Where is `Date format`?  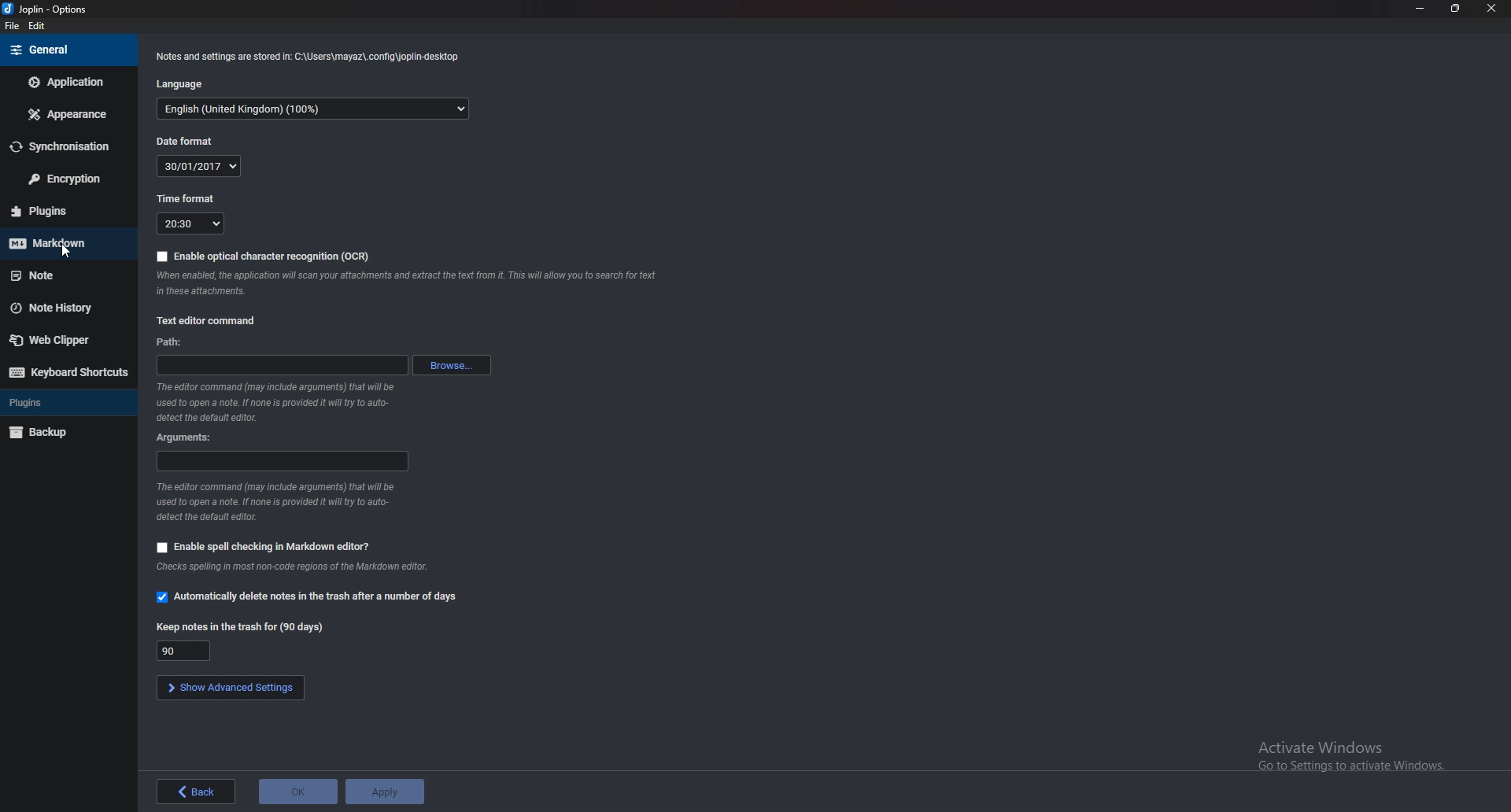 Date format is located at coordinates (193, 139).